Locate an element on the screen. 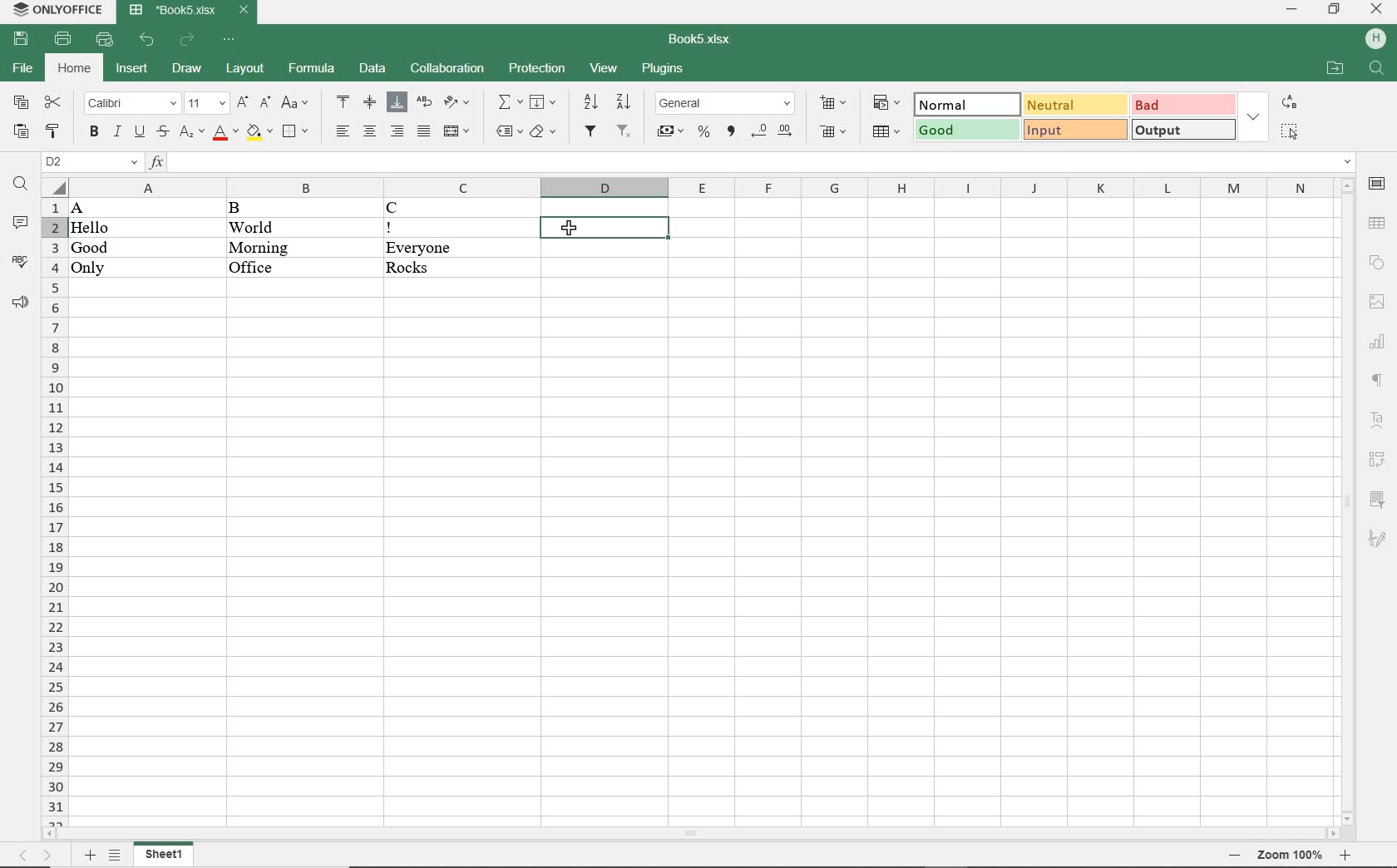 Image resolution: width=1397 pixels, height=868 pixels. EXPAND is located at coordinates (1256, 117).